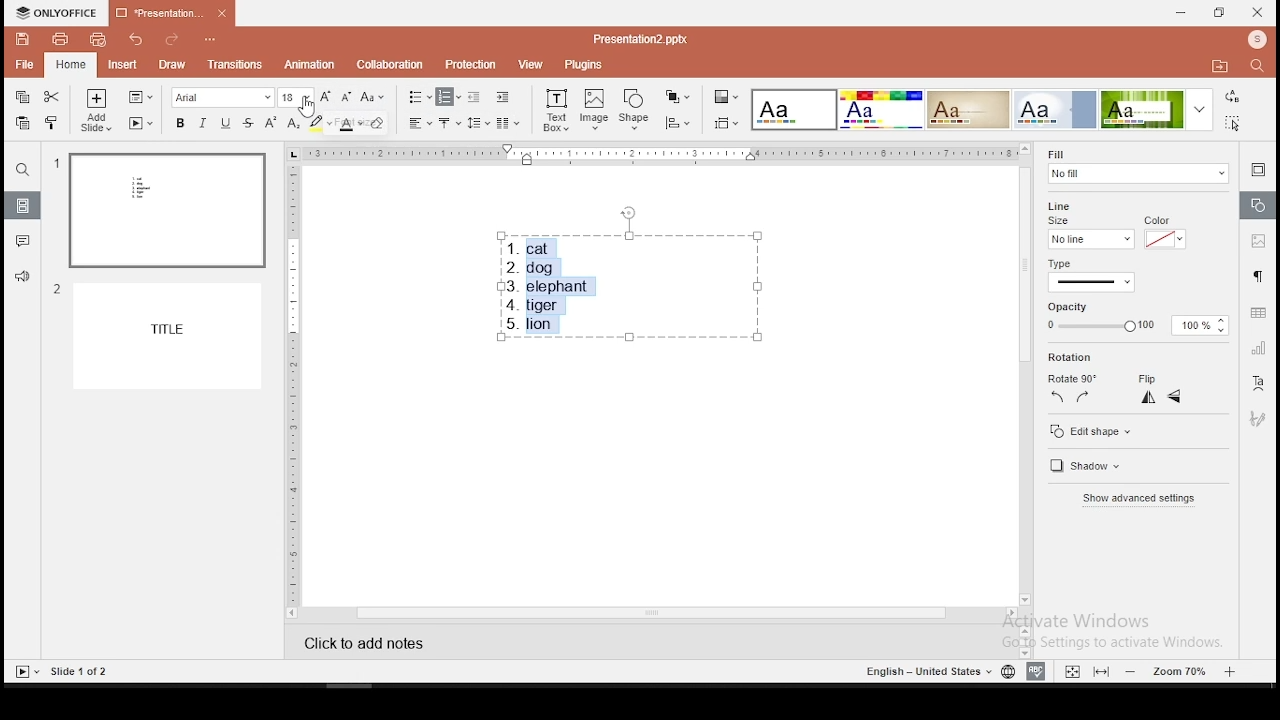 This screenshot has width=1280, height=720. What do you see at coordinates (320, 123) in the screenshot?
I see `highlight` at bounding box center [320, 123].